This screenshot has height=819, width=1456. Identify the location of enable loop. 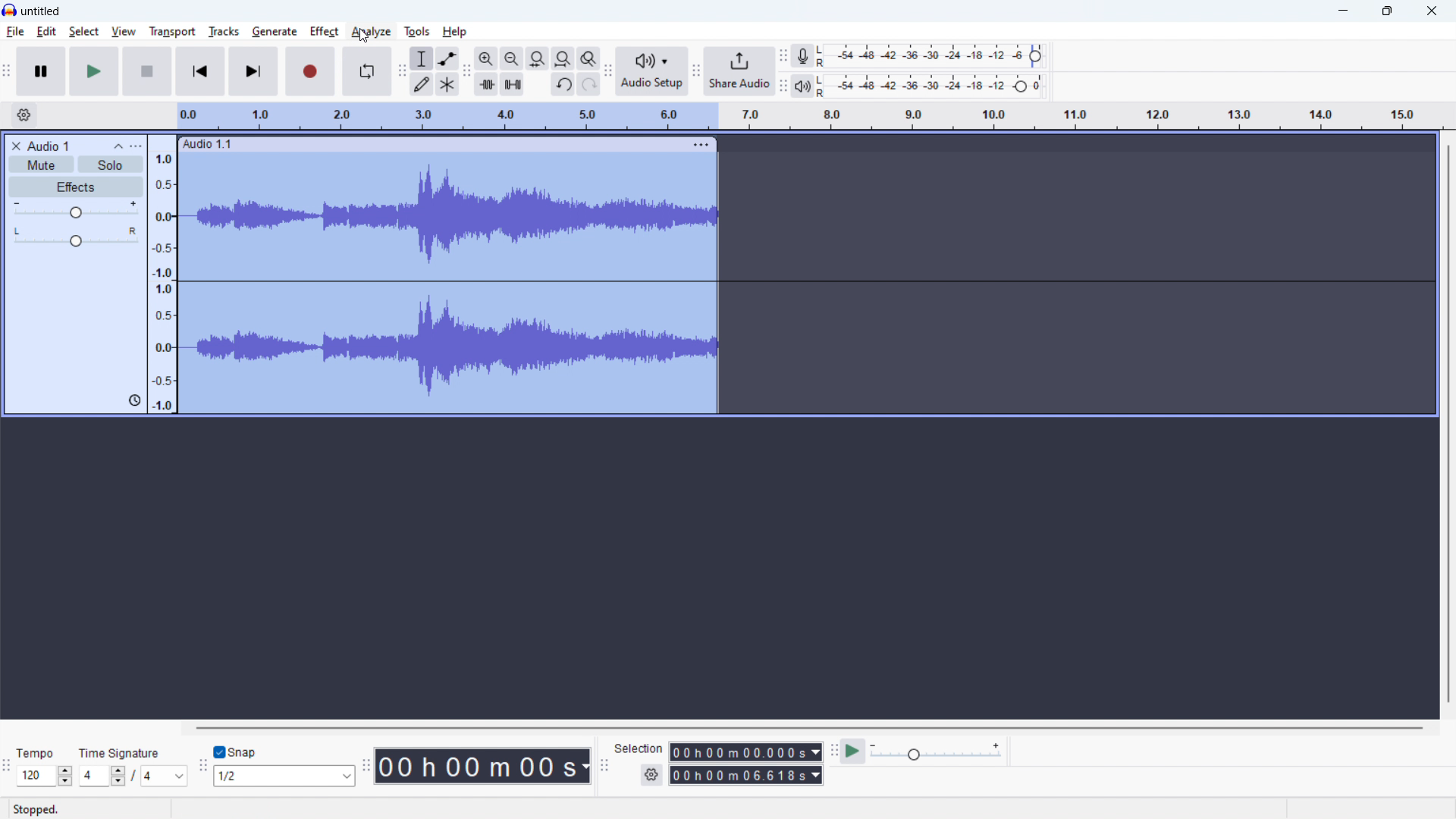
(367, 71).